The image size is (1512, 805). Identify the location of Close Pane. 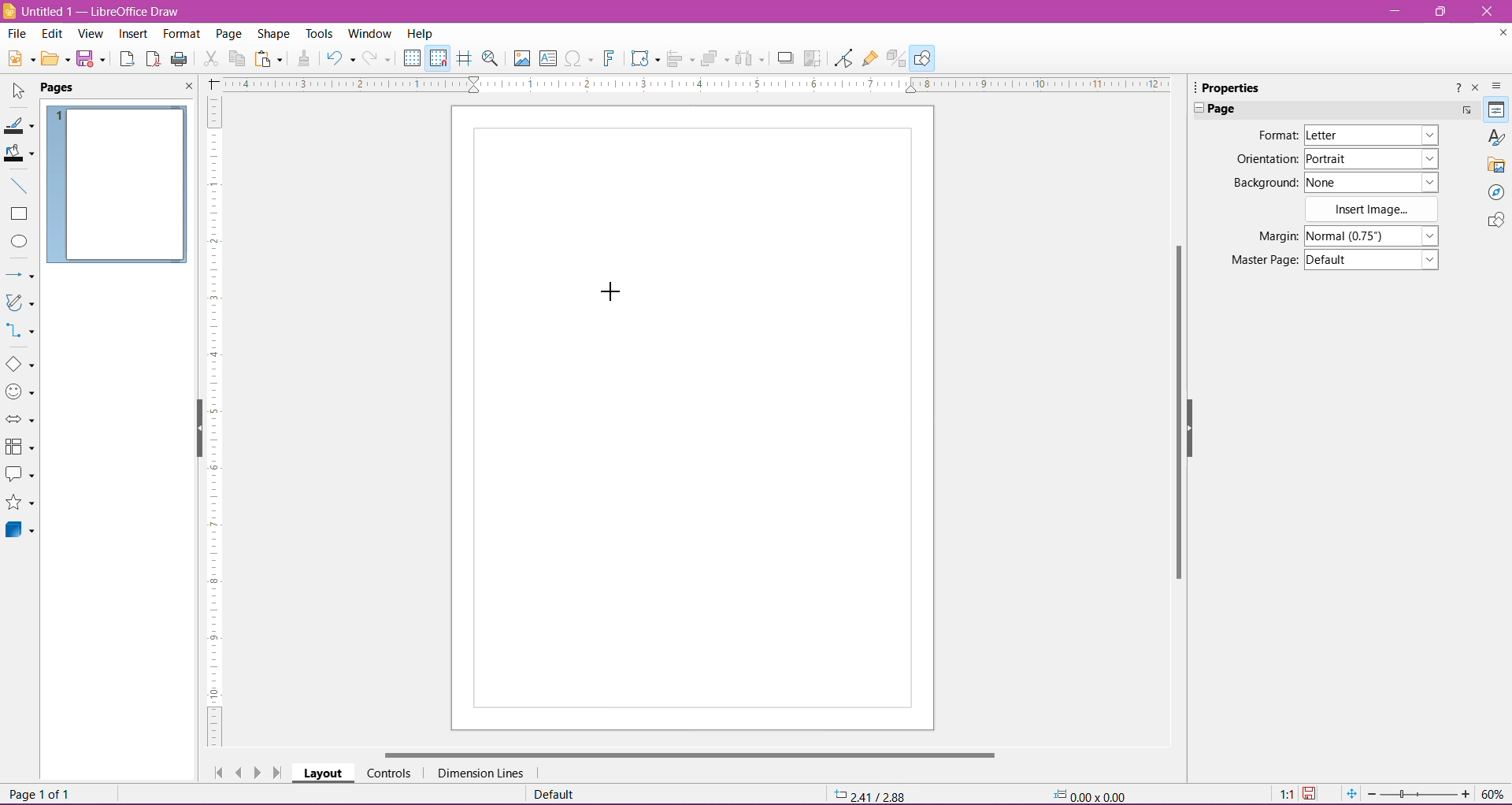
(184, 87).